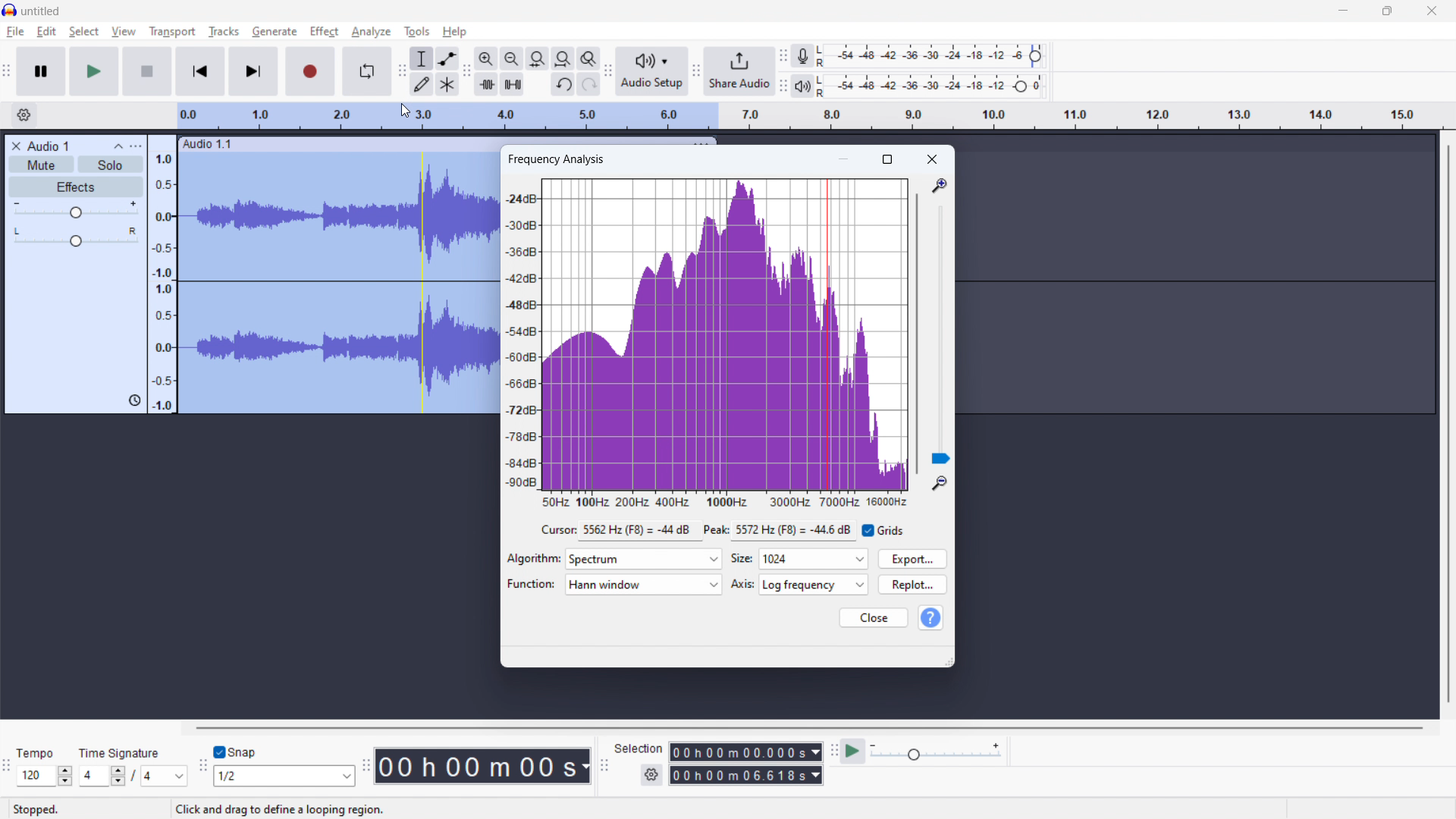 The image size is (1456, 819). Describe the element at coordinates (366, 770) in the screenshot. I see `time toolbar` at that location.